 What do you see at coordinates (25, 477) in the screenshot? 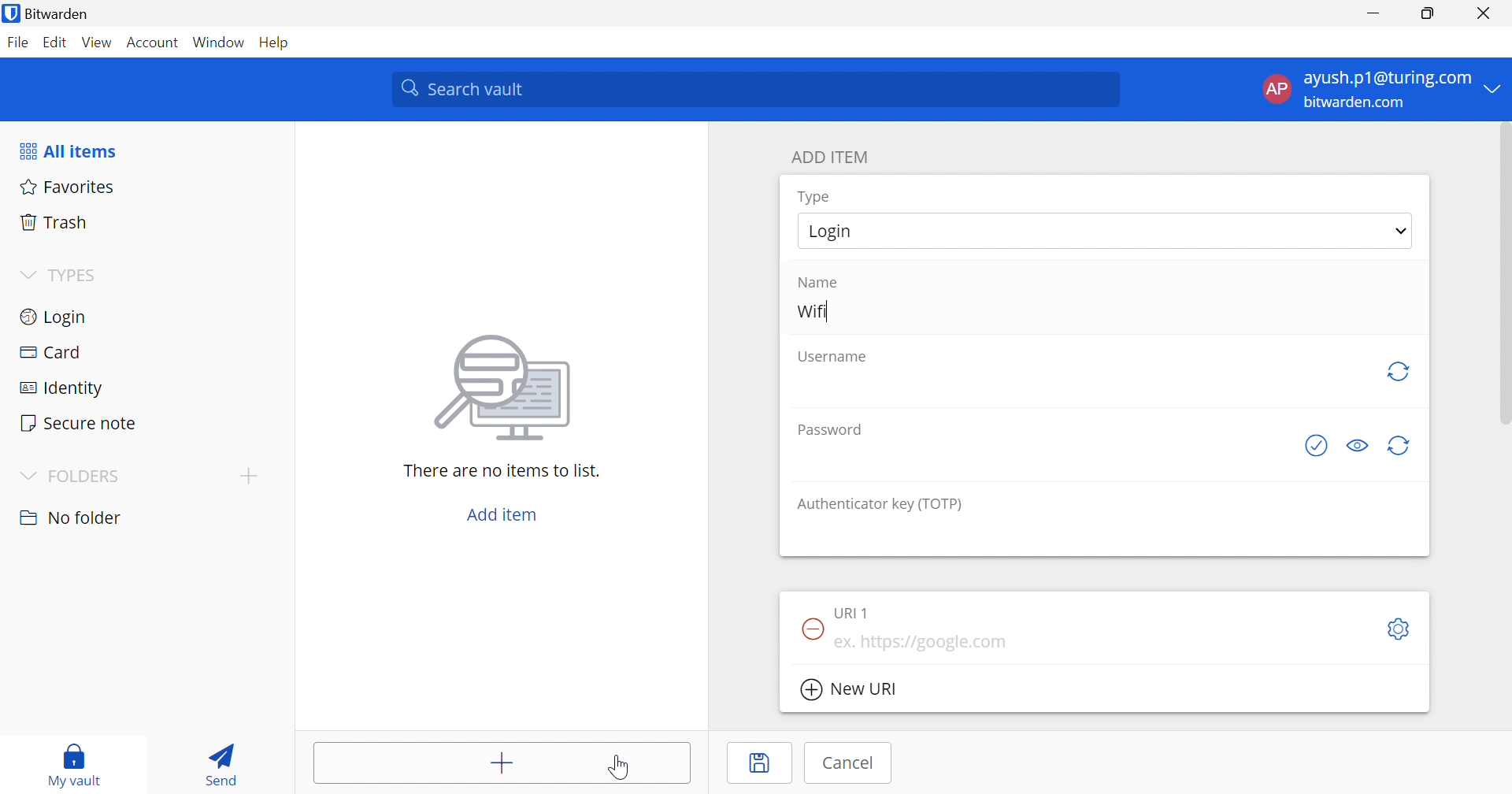
I see `Drop Down` at bounding box center [25, 477].